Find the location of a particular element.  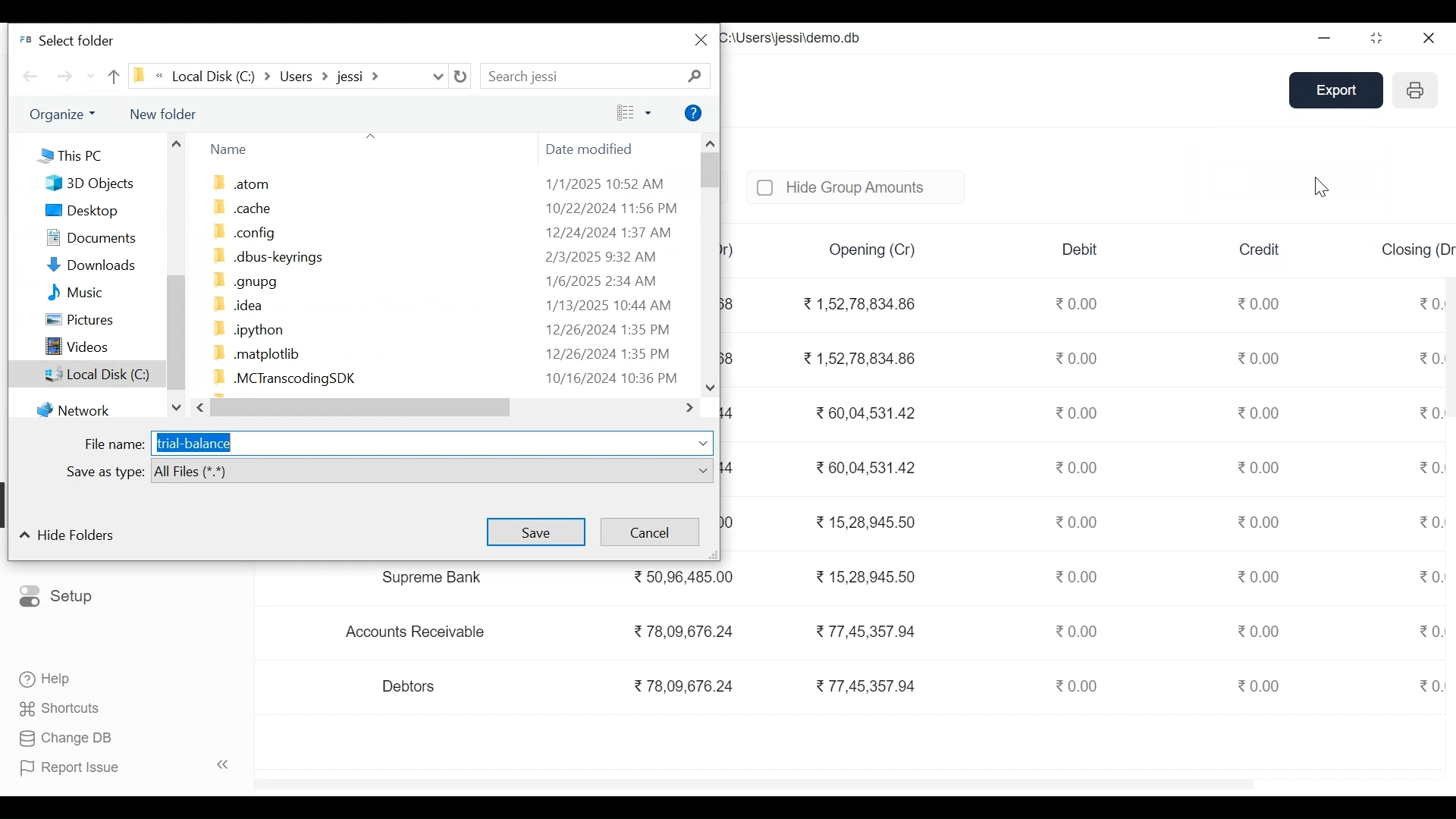

Scroll left is located at coordinates (202, 407).